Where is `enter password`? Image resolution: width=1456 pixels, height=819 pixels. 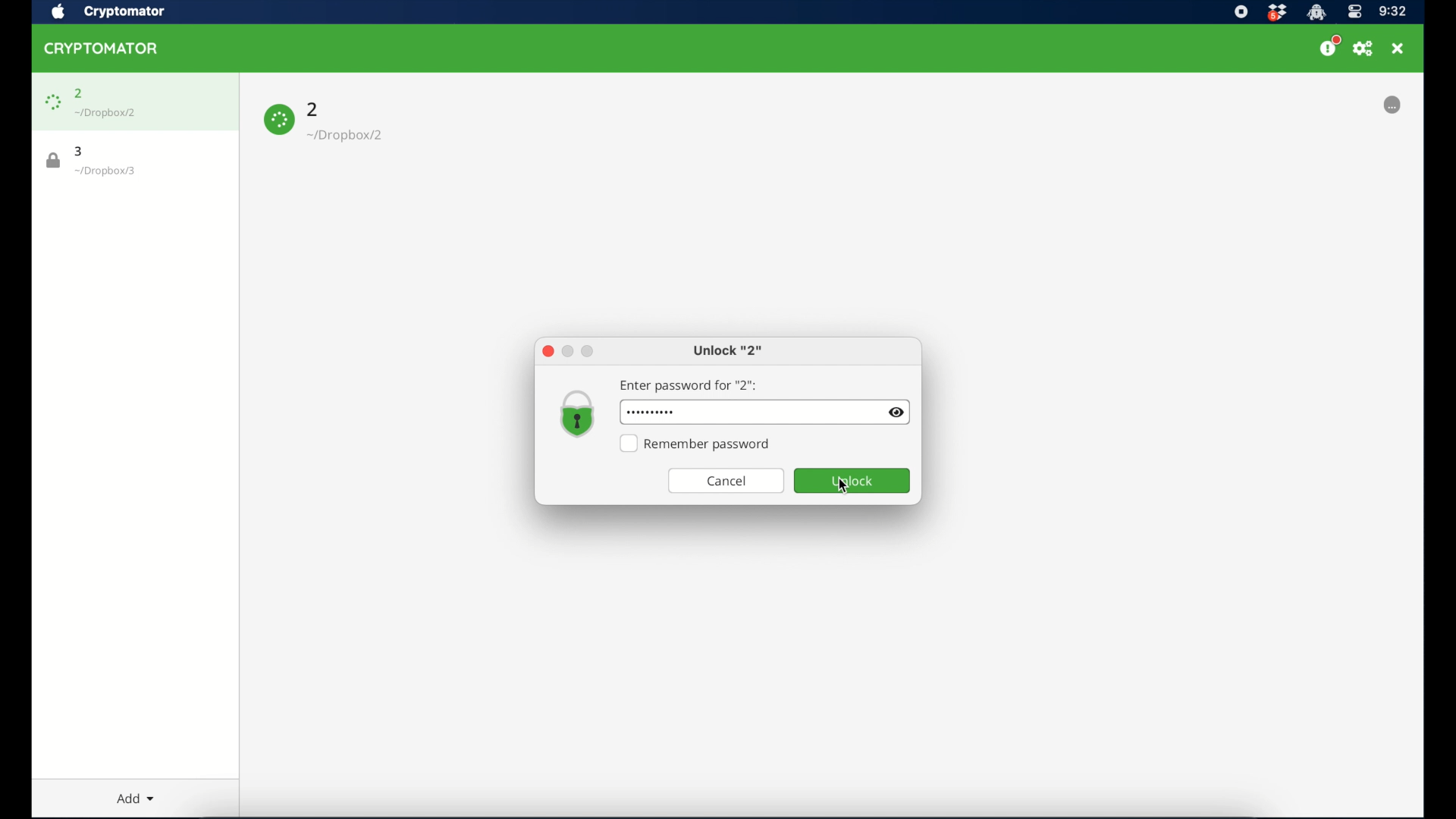 enter password is located at coordinates (688, 386).